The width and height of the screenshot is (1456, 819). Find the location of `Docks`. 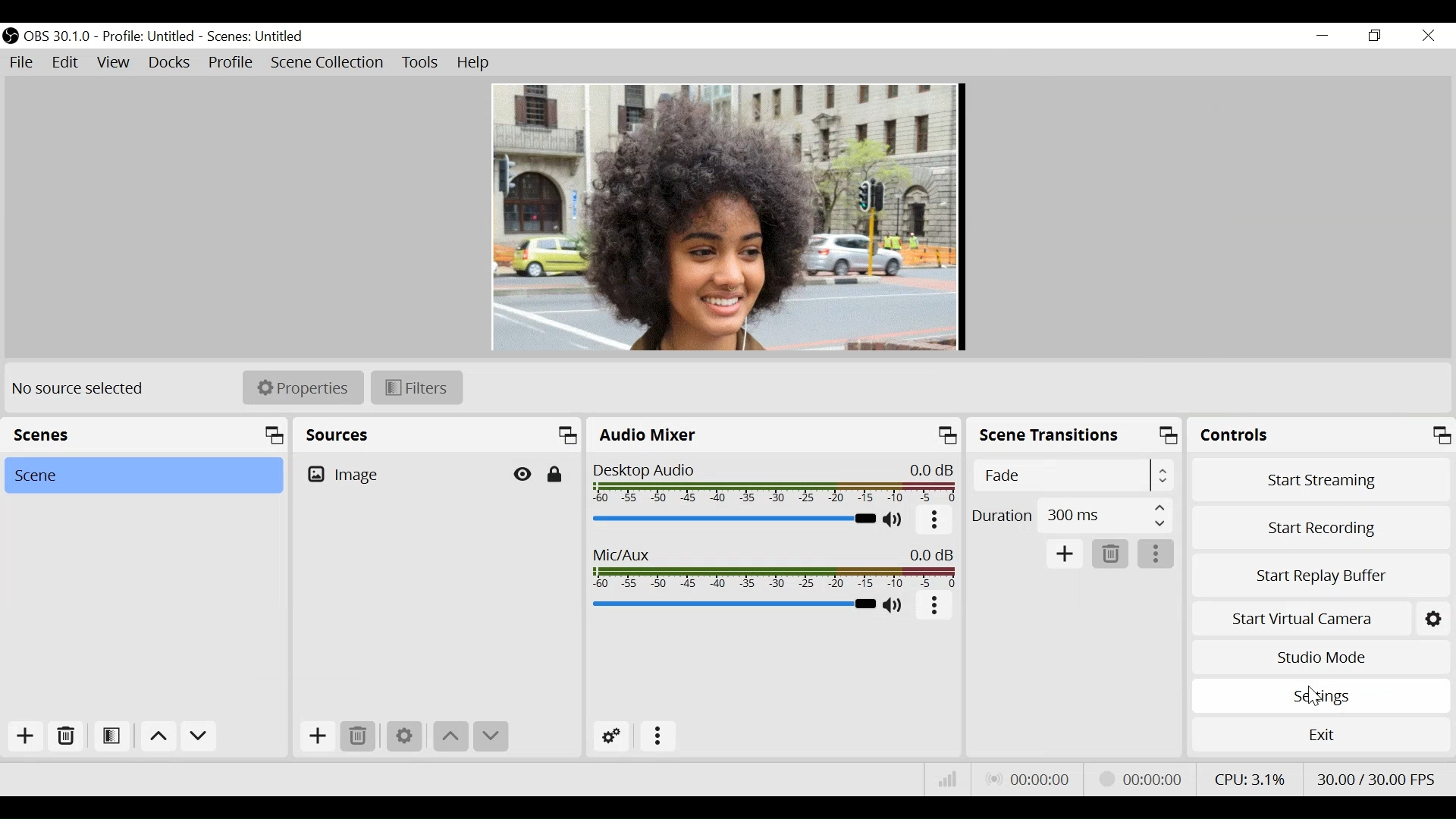

Docks is located at coordinates (169, 63).